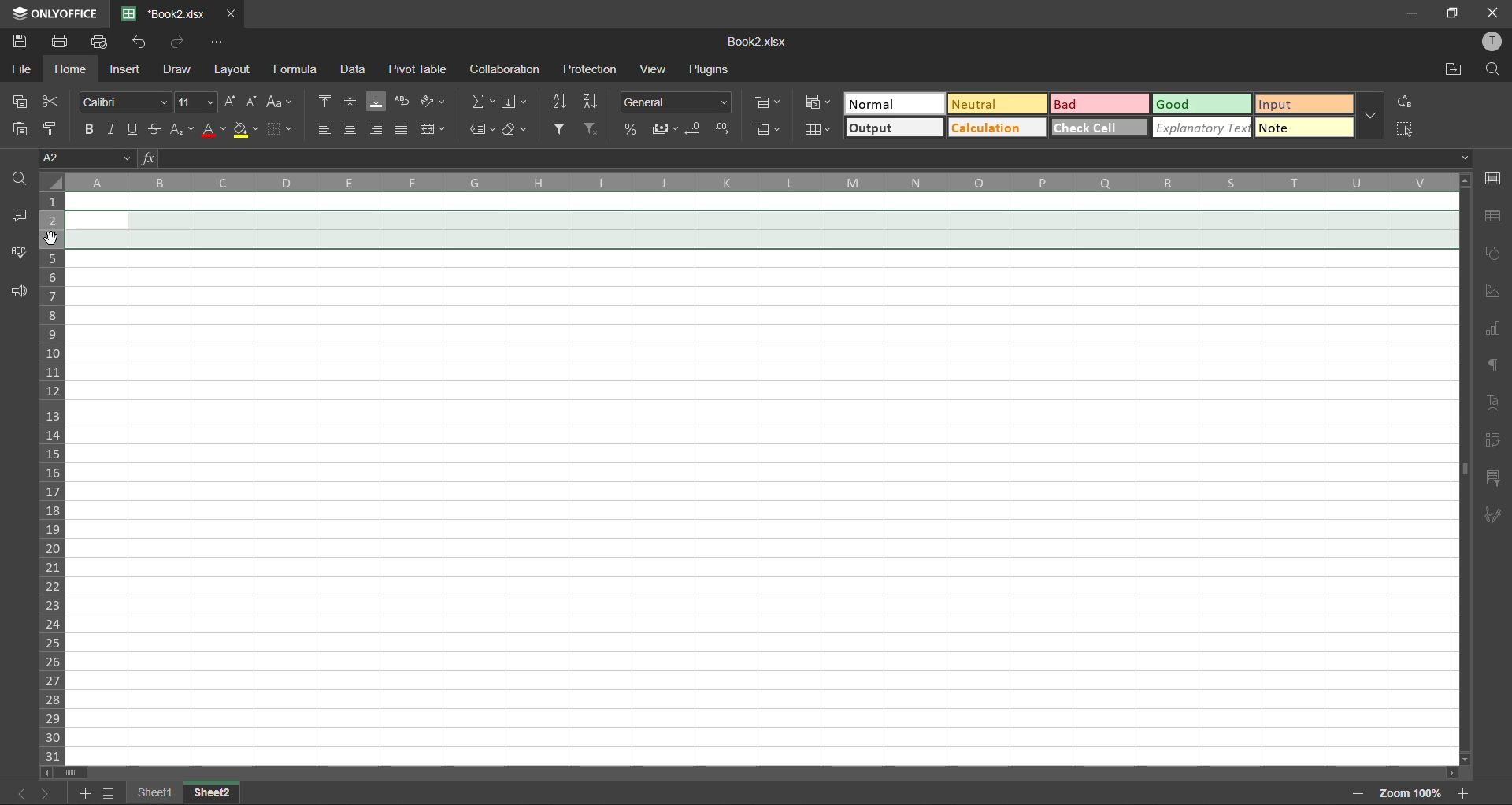  I want to click on images, so click(1488, 291).